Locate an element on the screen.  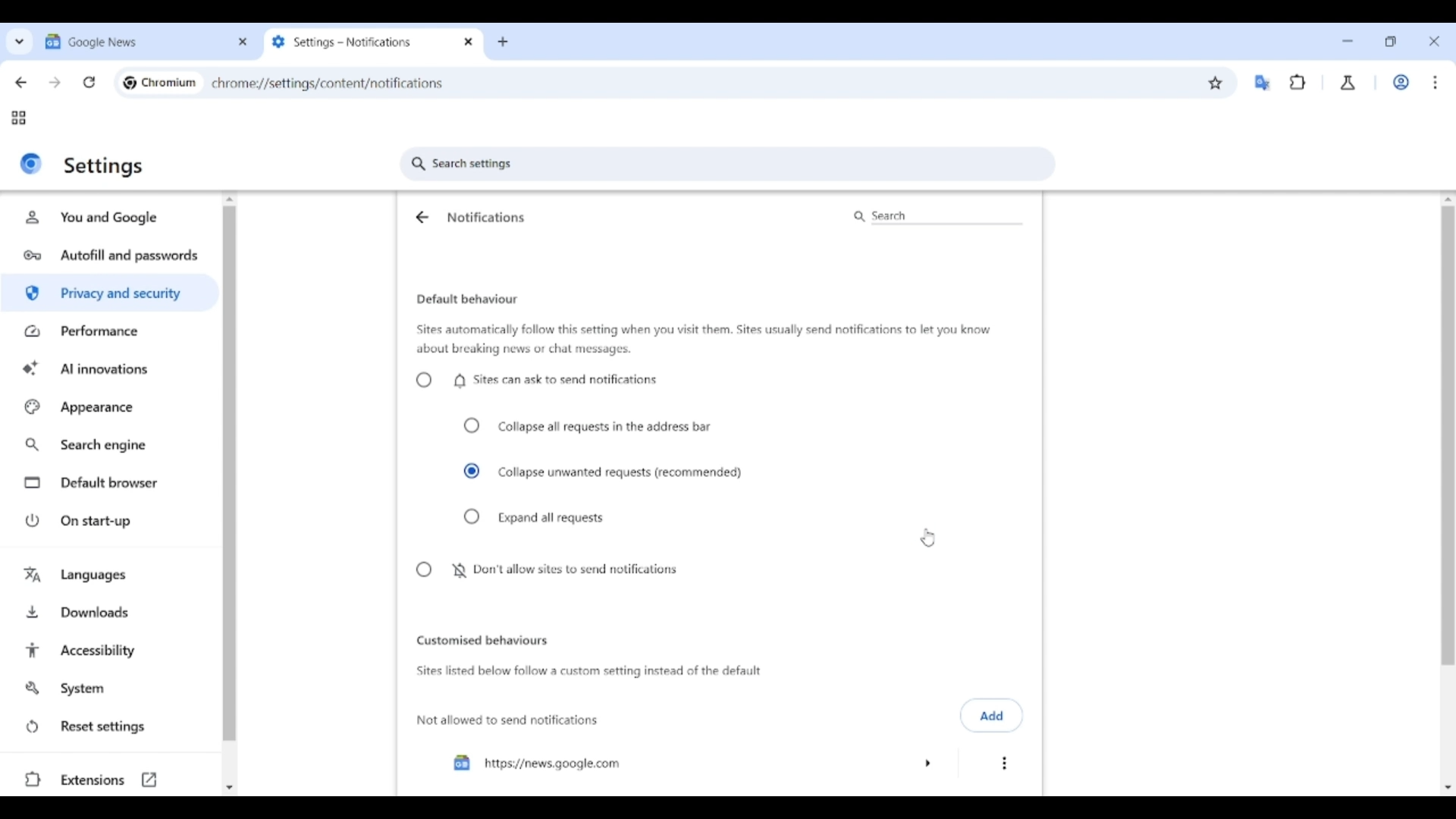
Appearance is located at coordinates (110, 407).